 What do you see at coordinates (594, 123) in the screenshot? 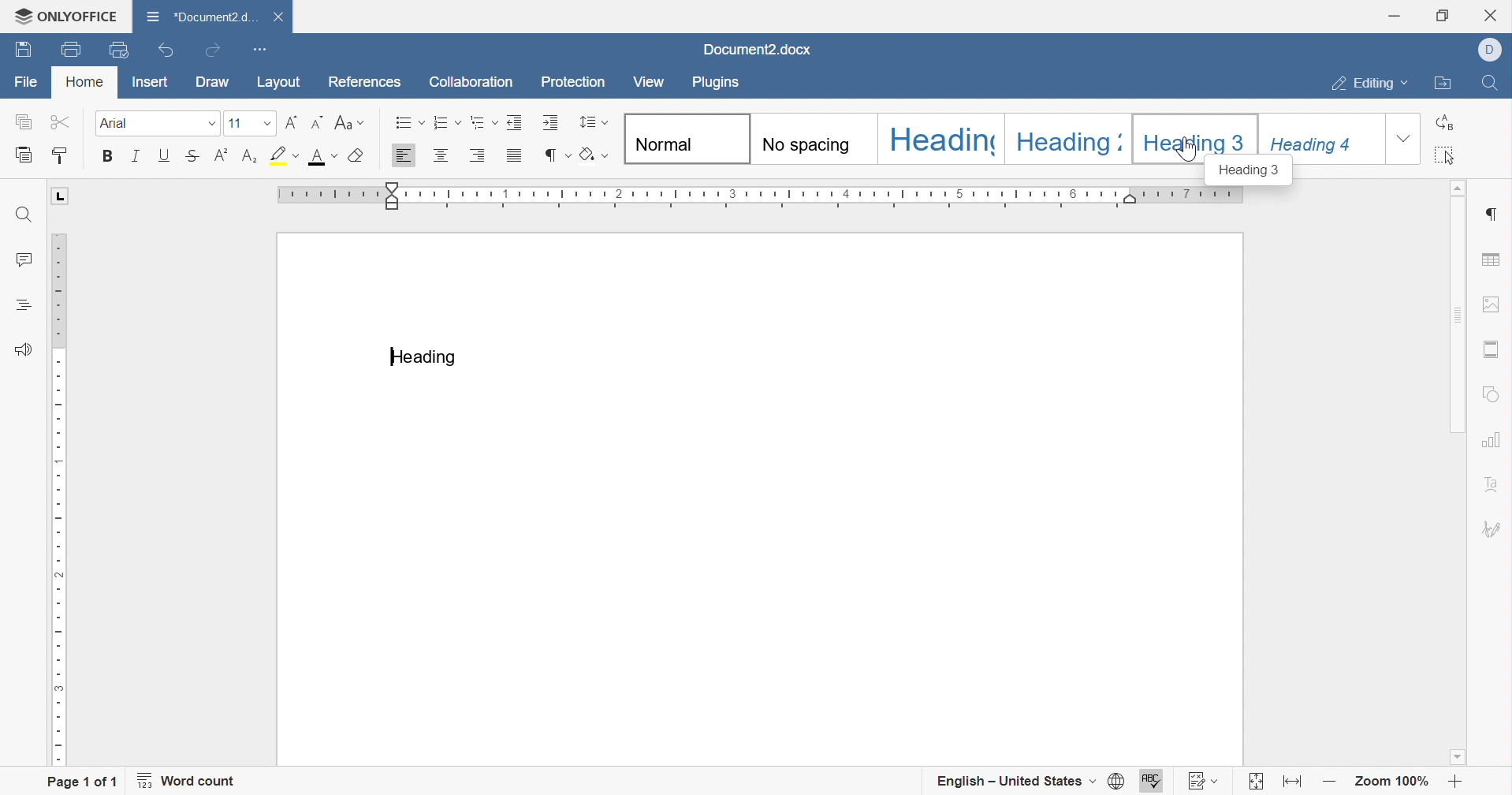
I see `Paragraph Line spacing` at bounding box center [594, 123].